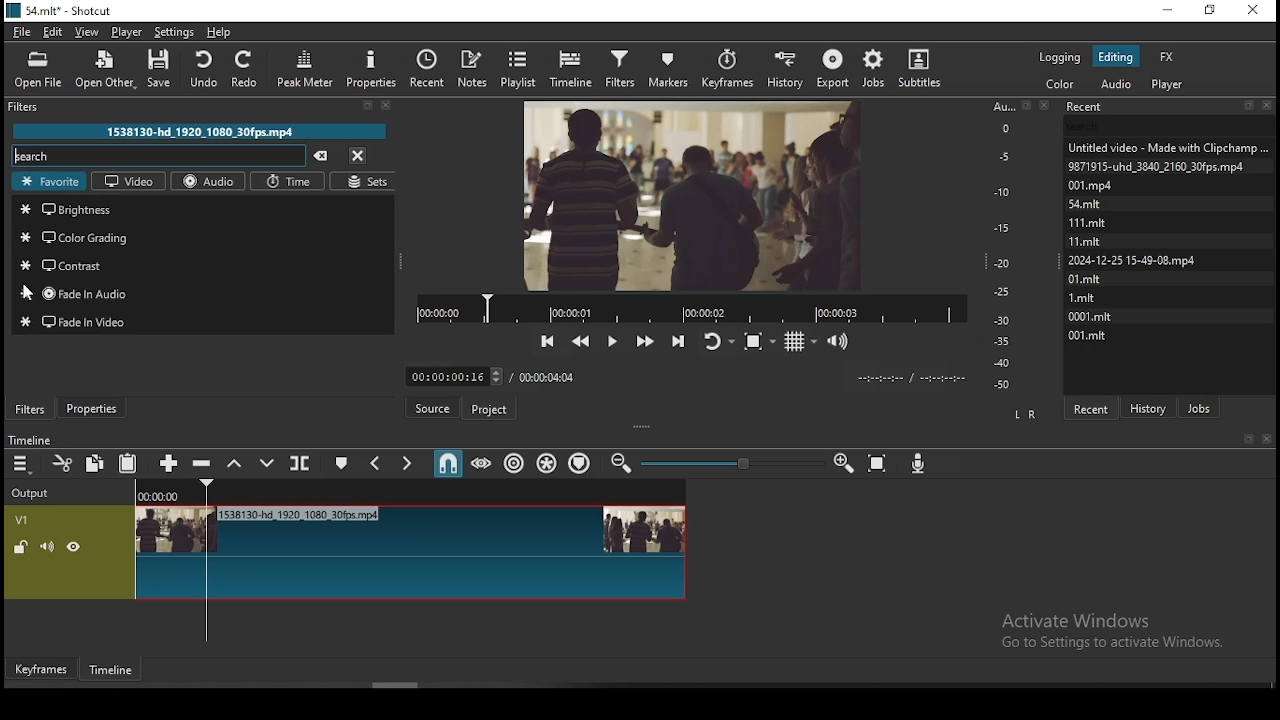  What do you see at coordinates (1090, 241) in the screenshot?
I see `11.mit` at bounding box center [1090, 241].